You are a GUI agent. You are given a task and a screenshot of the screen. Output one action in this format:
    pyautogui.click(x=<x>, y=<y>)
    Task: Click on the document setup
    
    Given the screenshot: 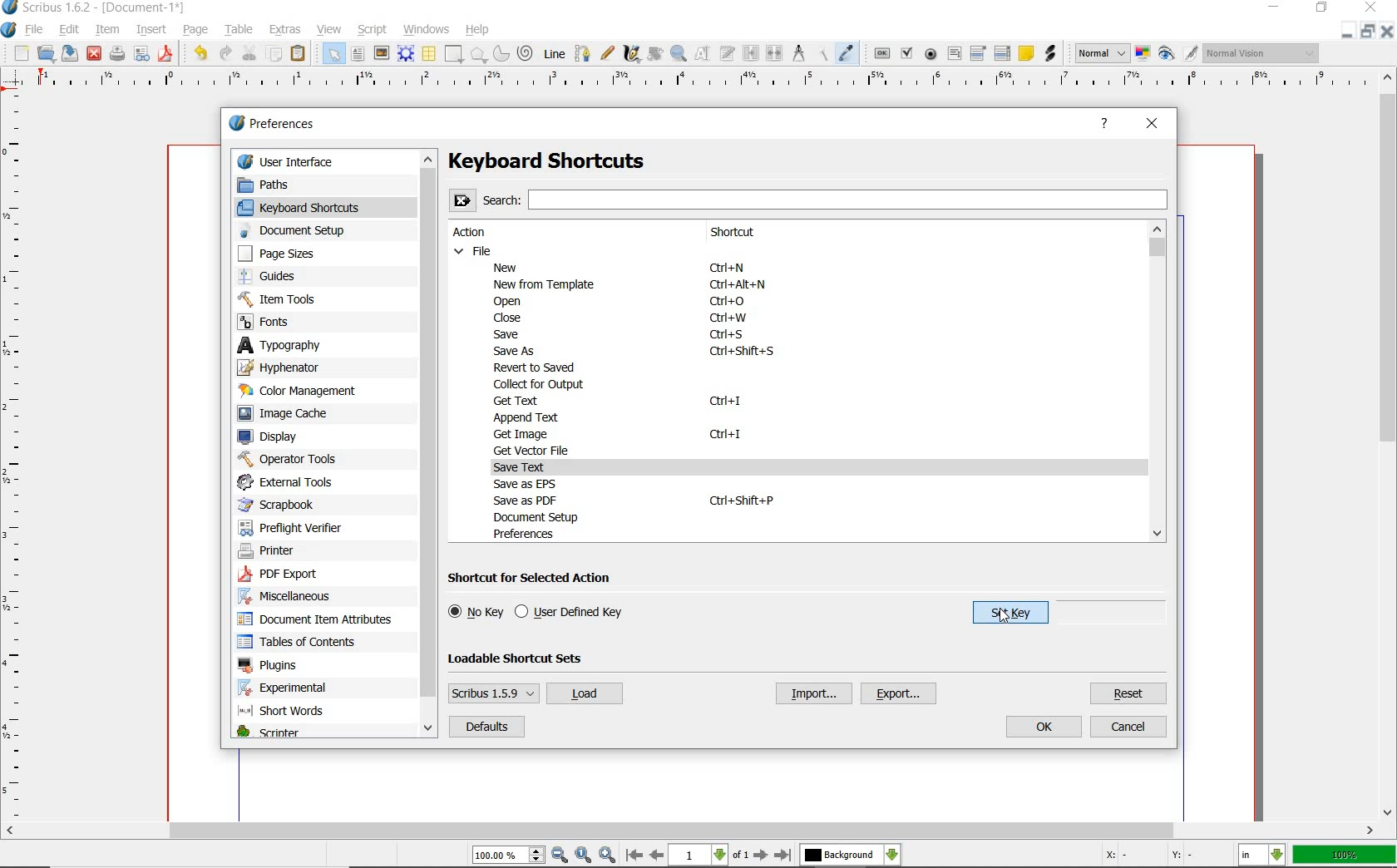 What is the action you would take?
    pyautogui.click(x=550, y=517)
    